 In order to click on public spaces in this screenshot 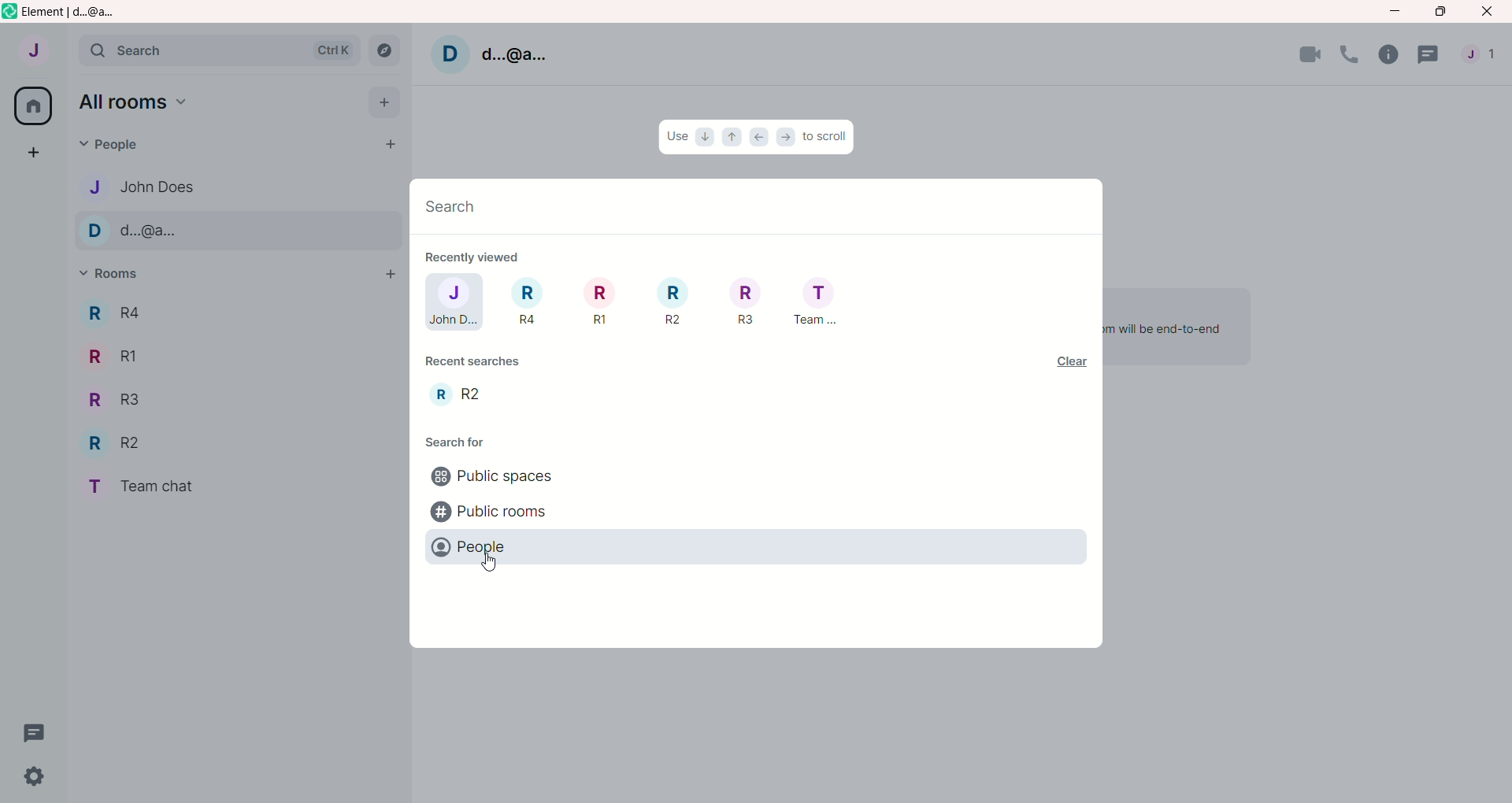, I will do `click(491, 479)`.